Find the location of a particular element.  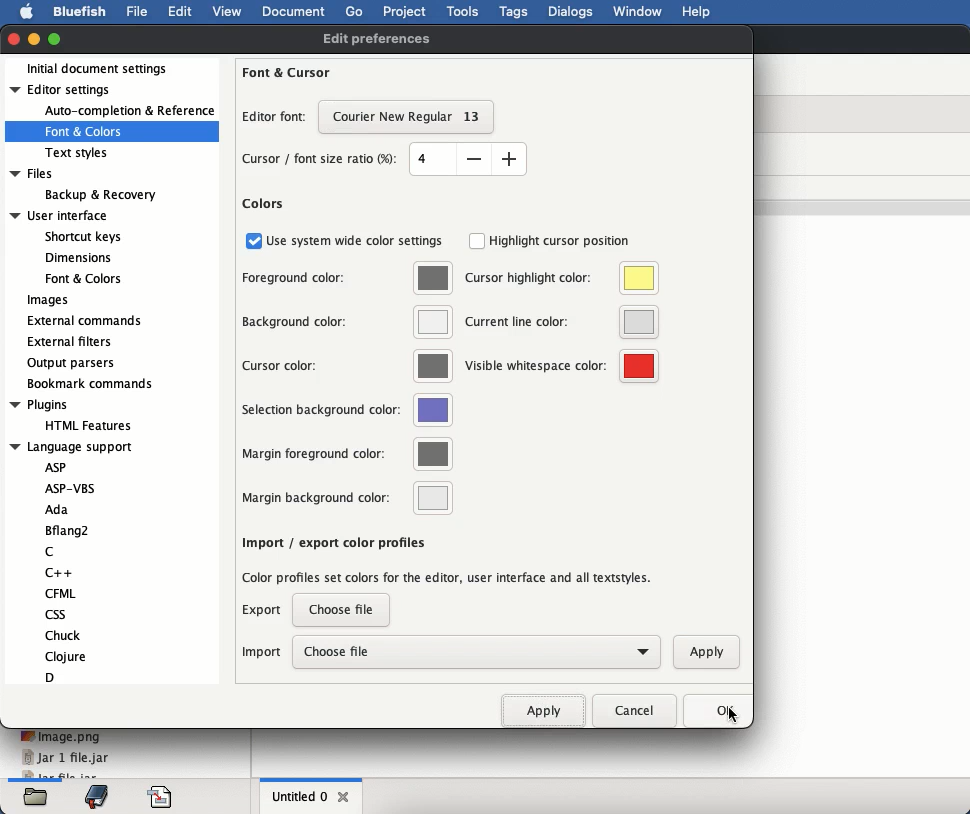

colors is located at coordinates (264, 204).